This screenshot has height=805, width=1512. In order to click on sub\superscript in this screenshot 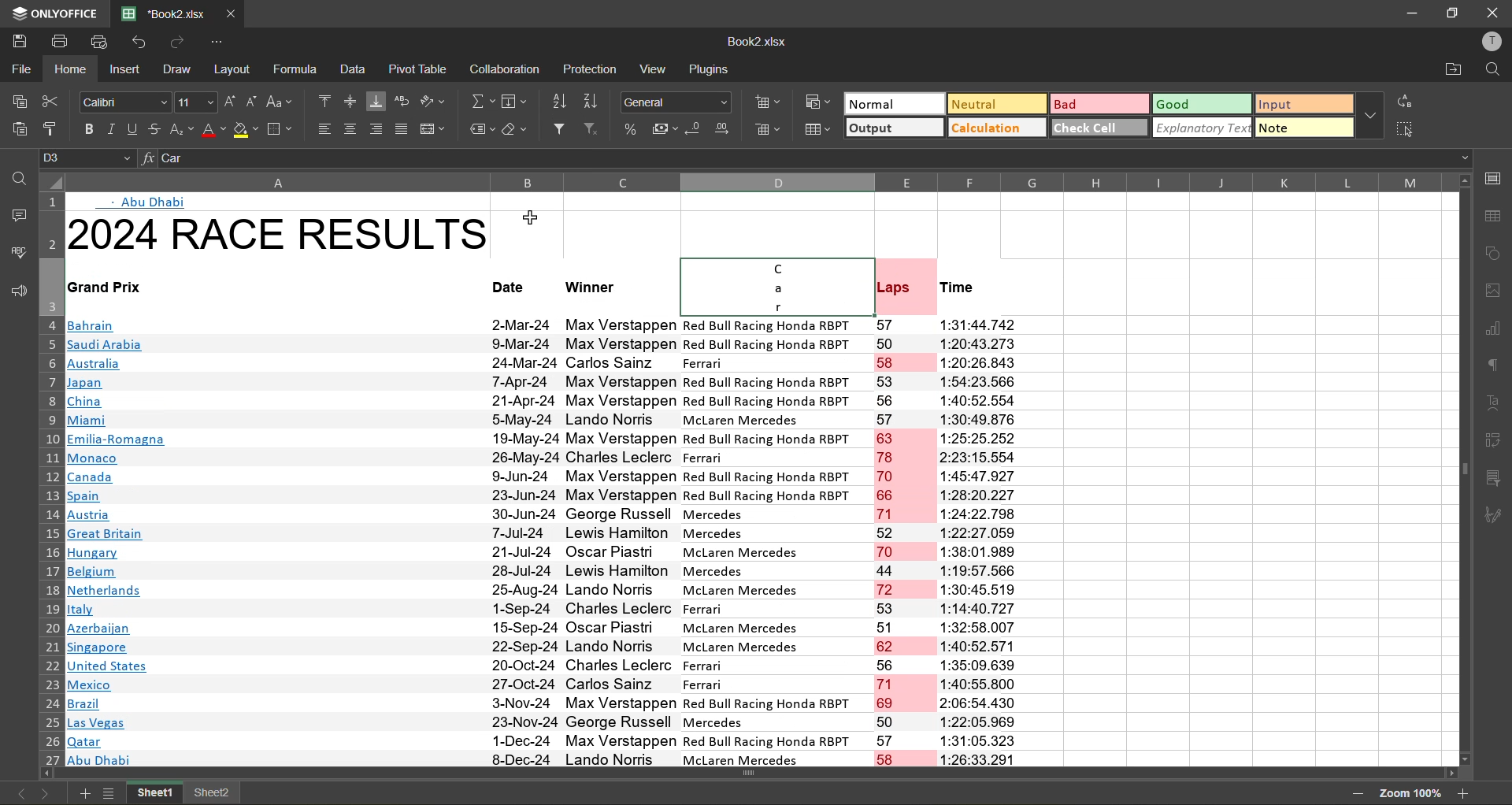, I will do `click(183, 134)`.